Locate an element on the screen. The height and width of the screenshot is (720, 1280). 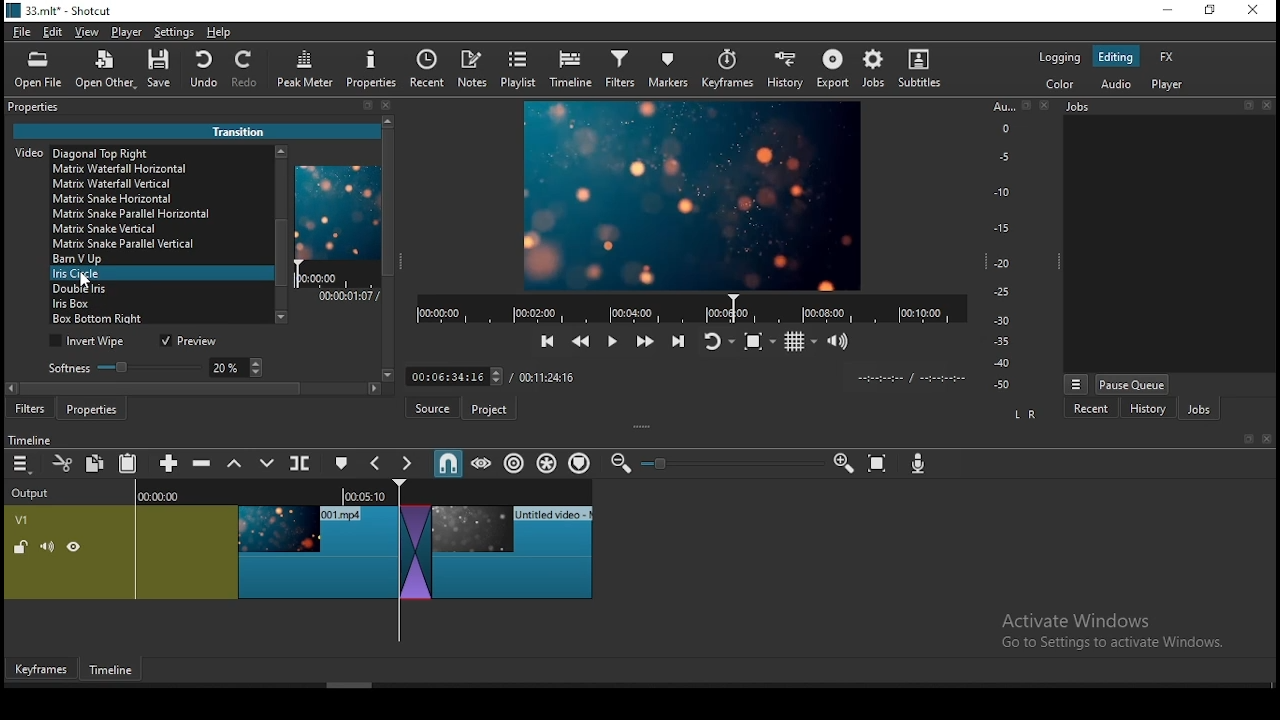
zoom timeline out is located at coordinates (618, 464).